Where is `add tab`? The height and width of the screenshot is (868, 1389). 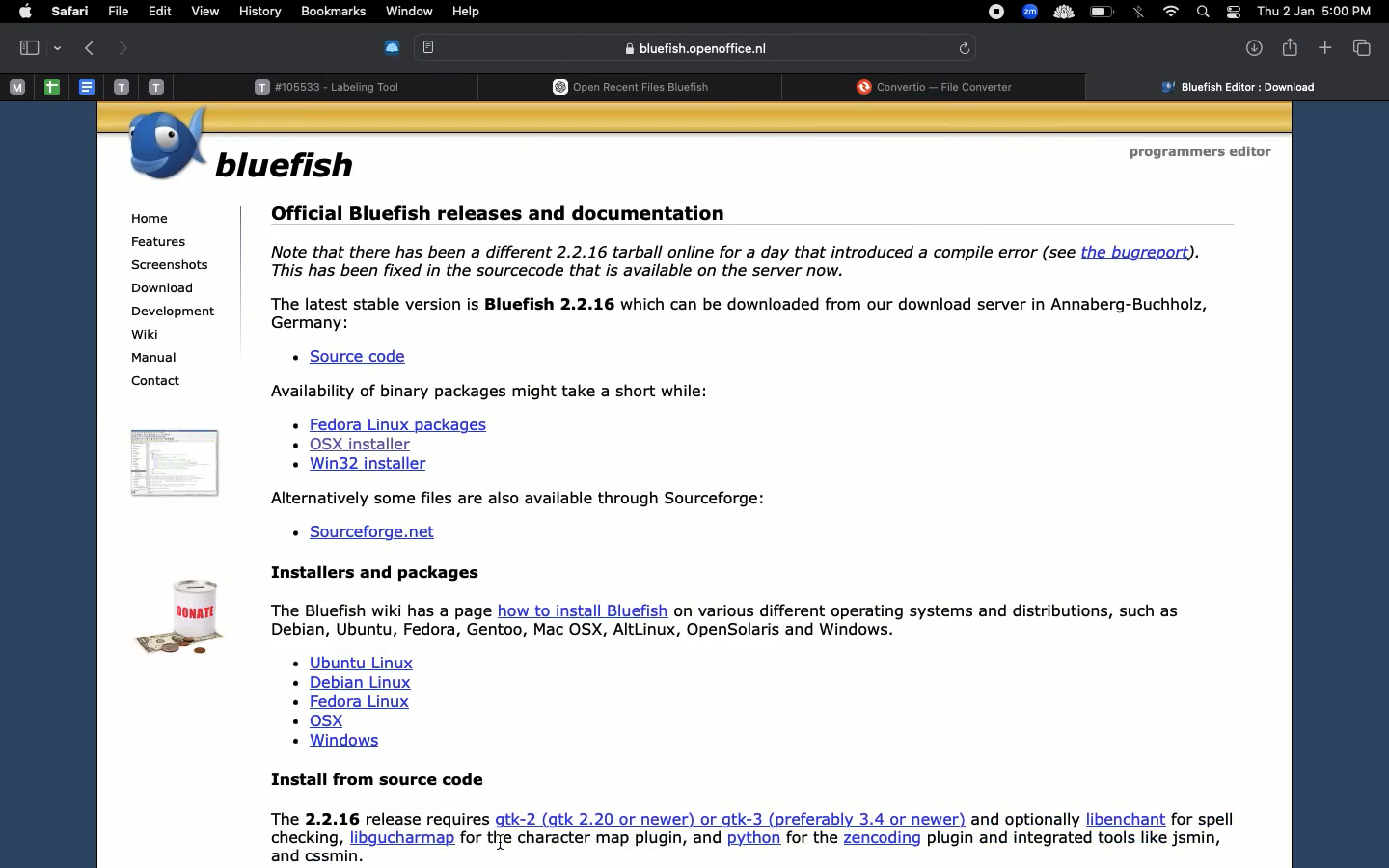
add tab is located at coordinates (1326, 47).